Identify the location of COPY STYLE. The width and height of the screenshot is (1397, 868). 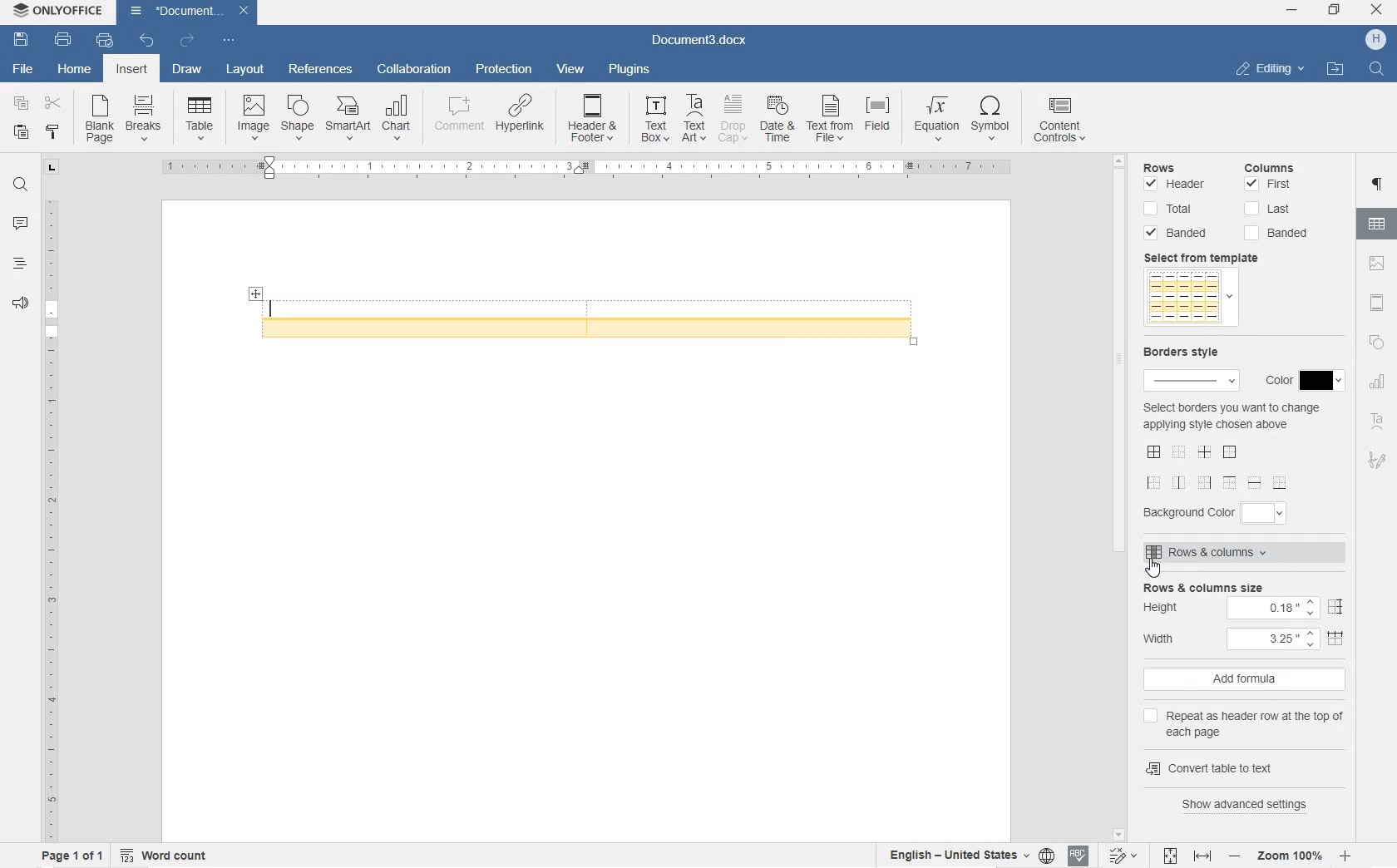
(54, 134).